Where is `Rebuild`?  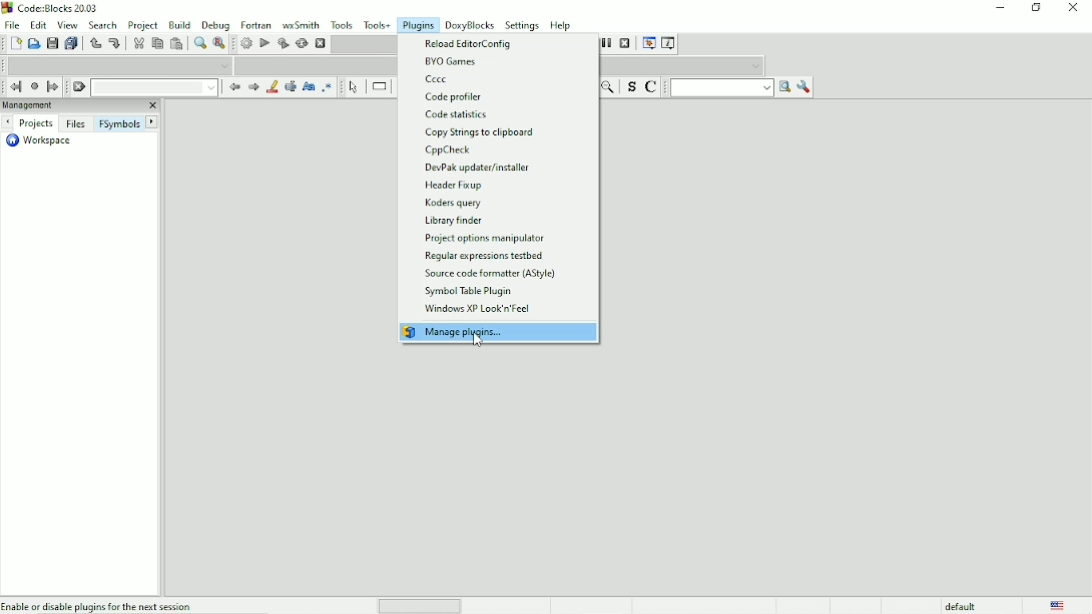 Rebuild is located at coordinates (301, 43).